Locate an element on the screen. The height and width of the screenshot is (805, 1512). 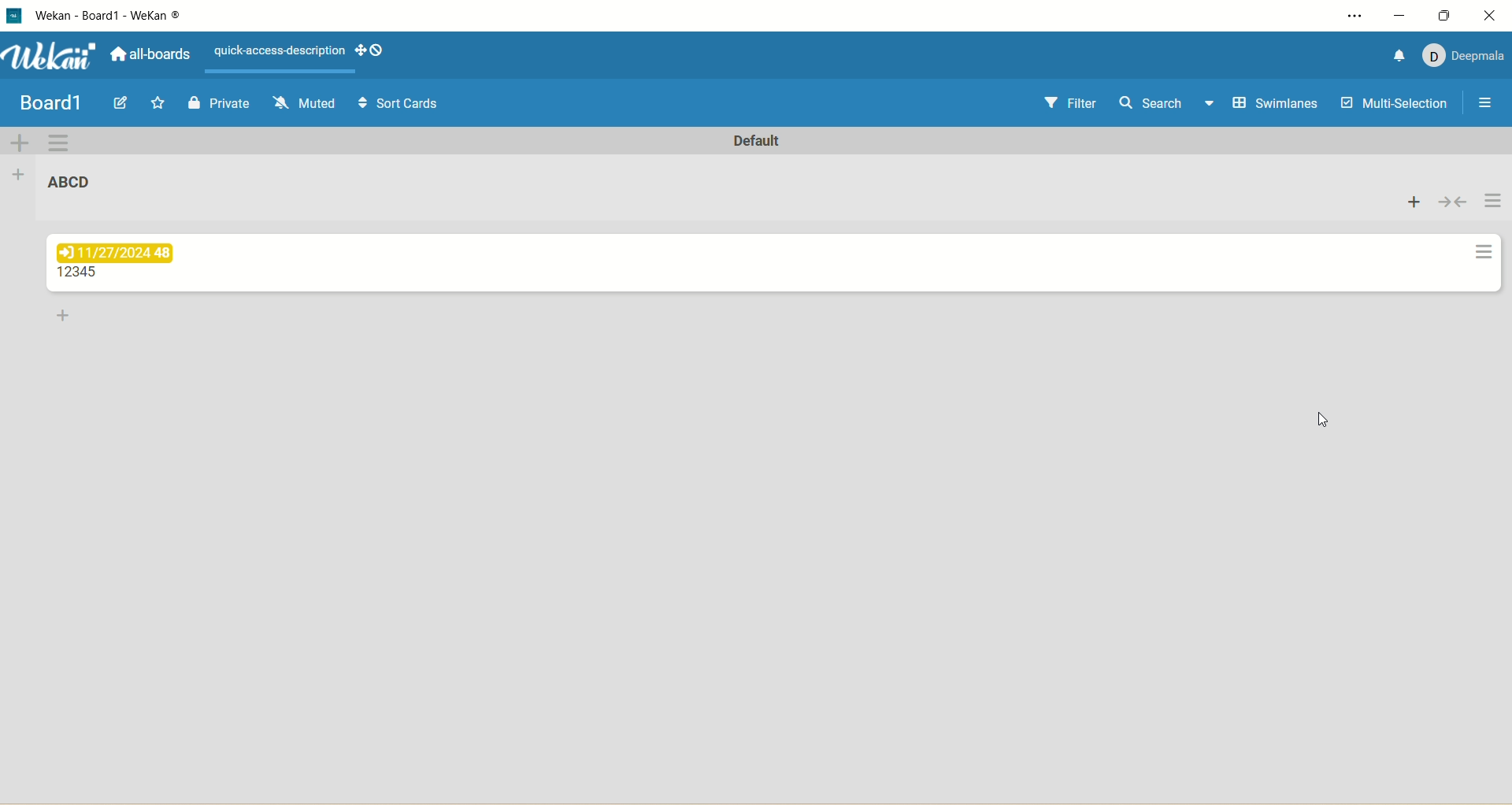
title is located at coordinates (110, 20).